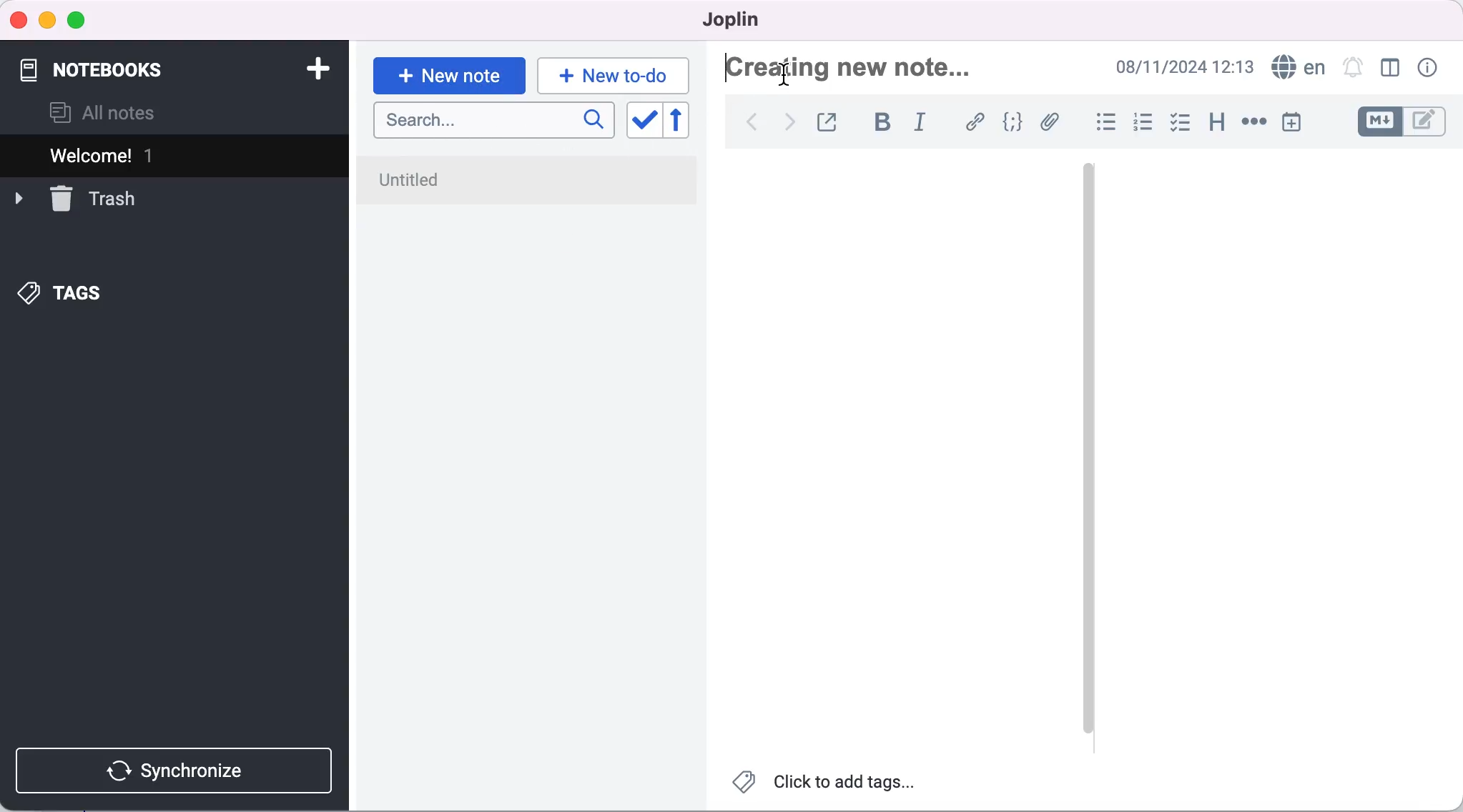  What do you see at coordinates (177, 153) in the screenshot?
I see `welcome 1` at bounding box center [177, 153].